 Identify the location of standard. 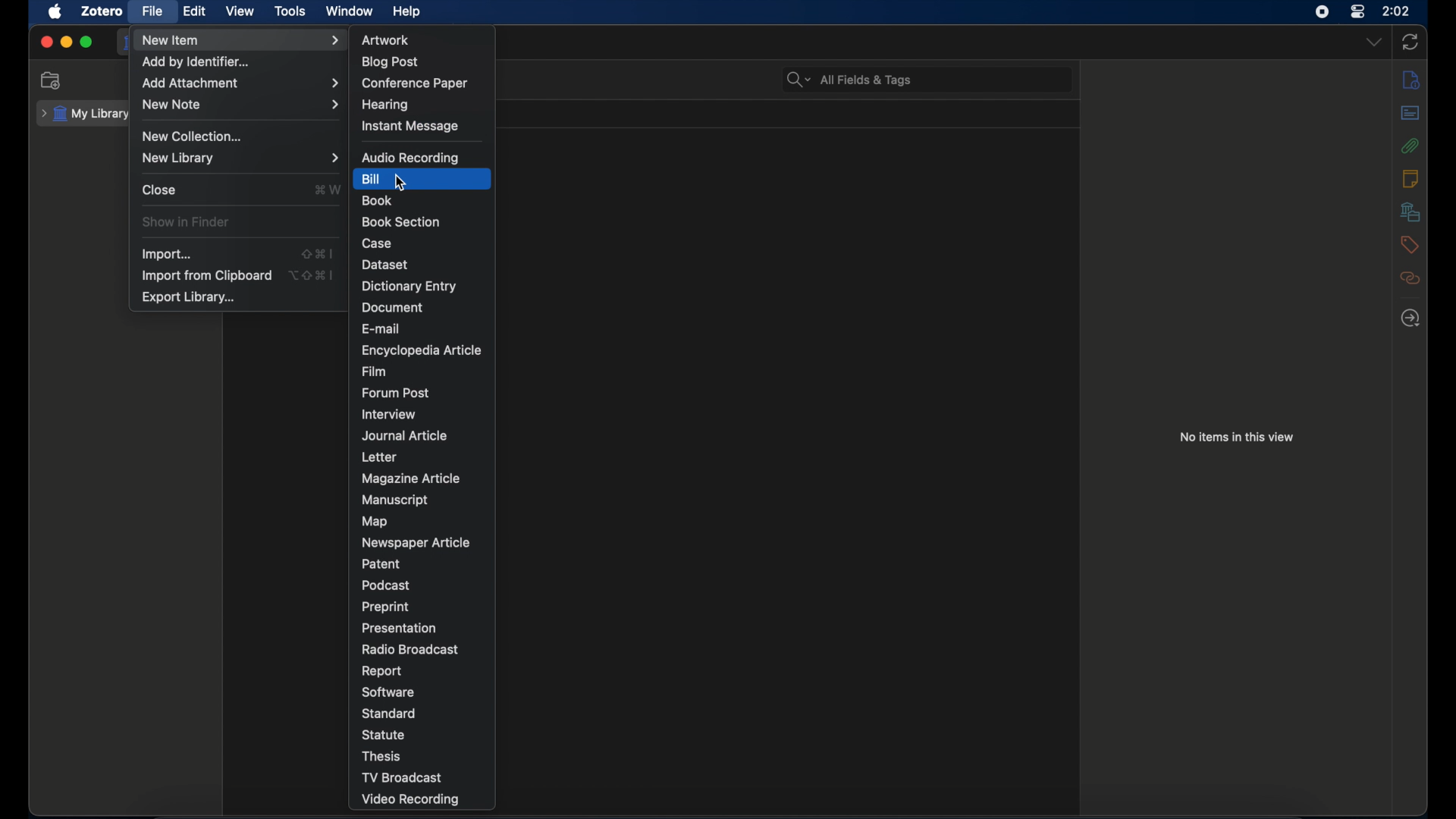
(390, 714).